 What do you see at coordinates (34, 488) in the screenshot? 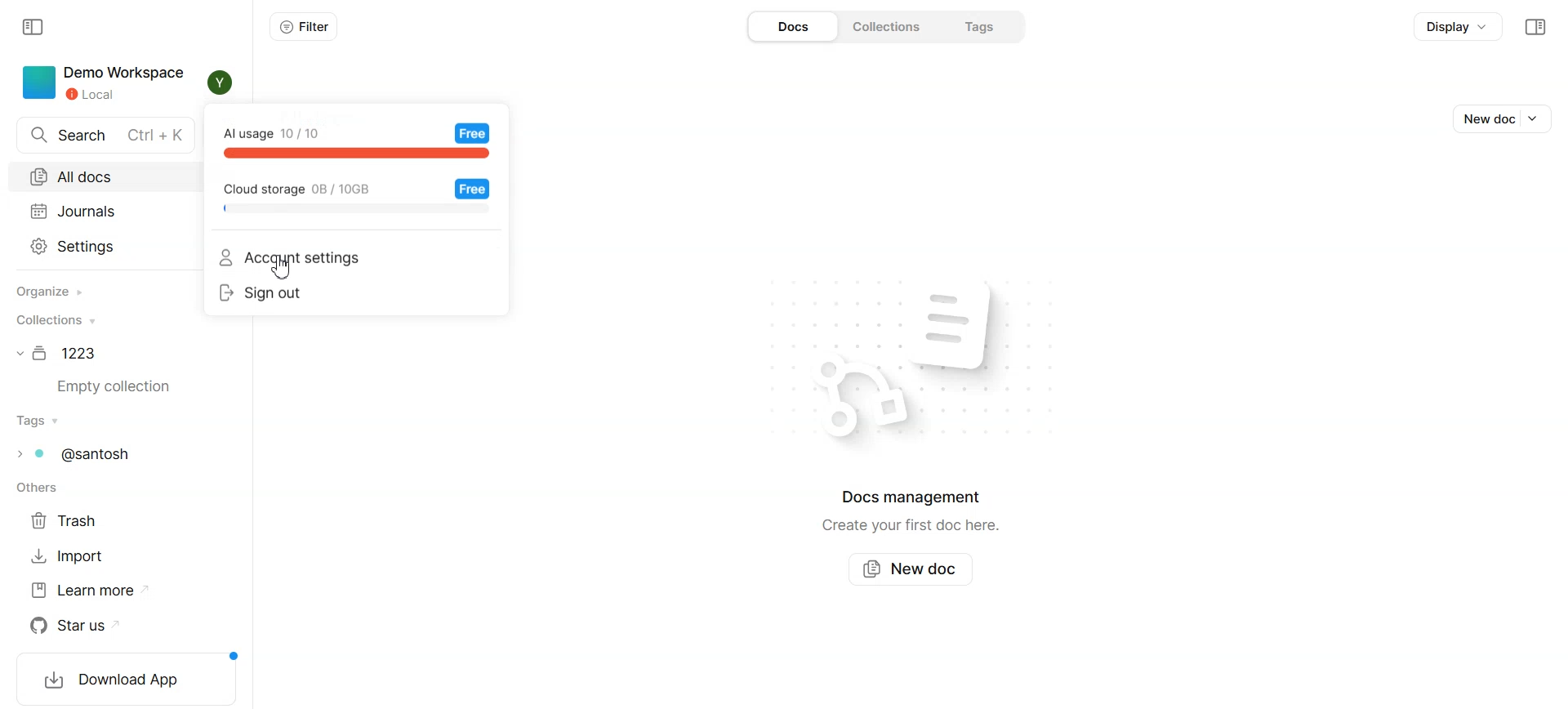
I see `others` at bounding box center [34, 488].